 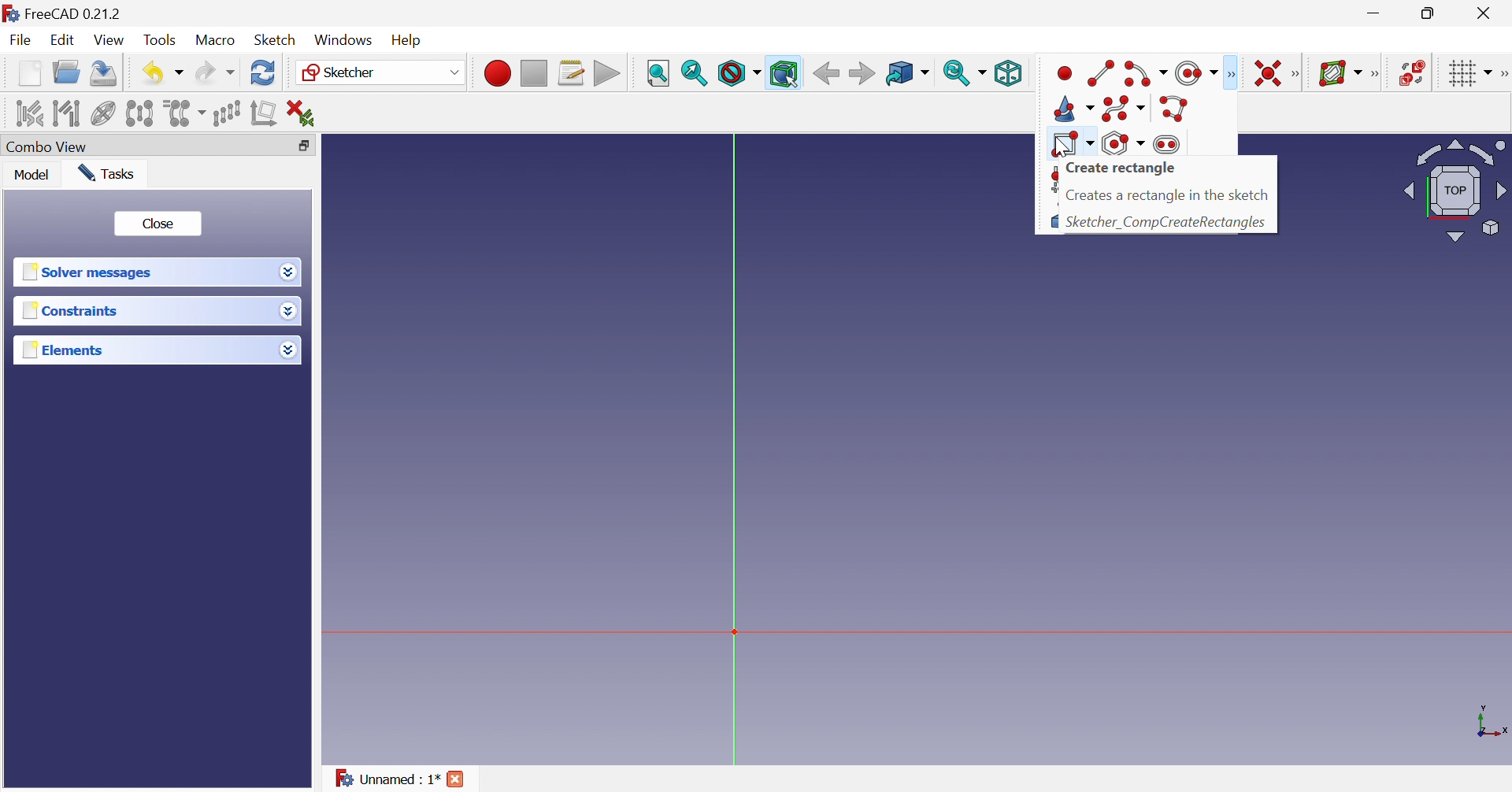 I want to click on Create fillet, so click(x=1052, y=180).